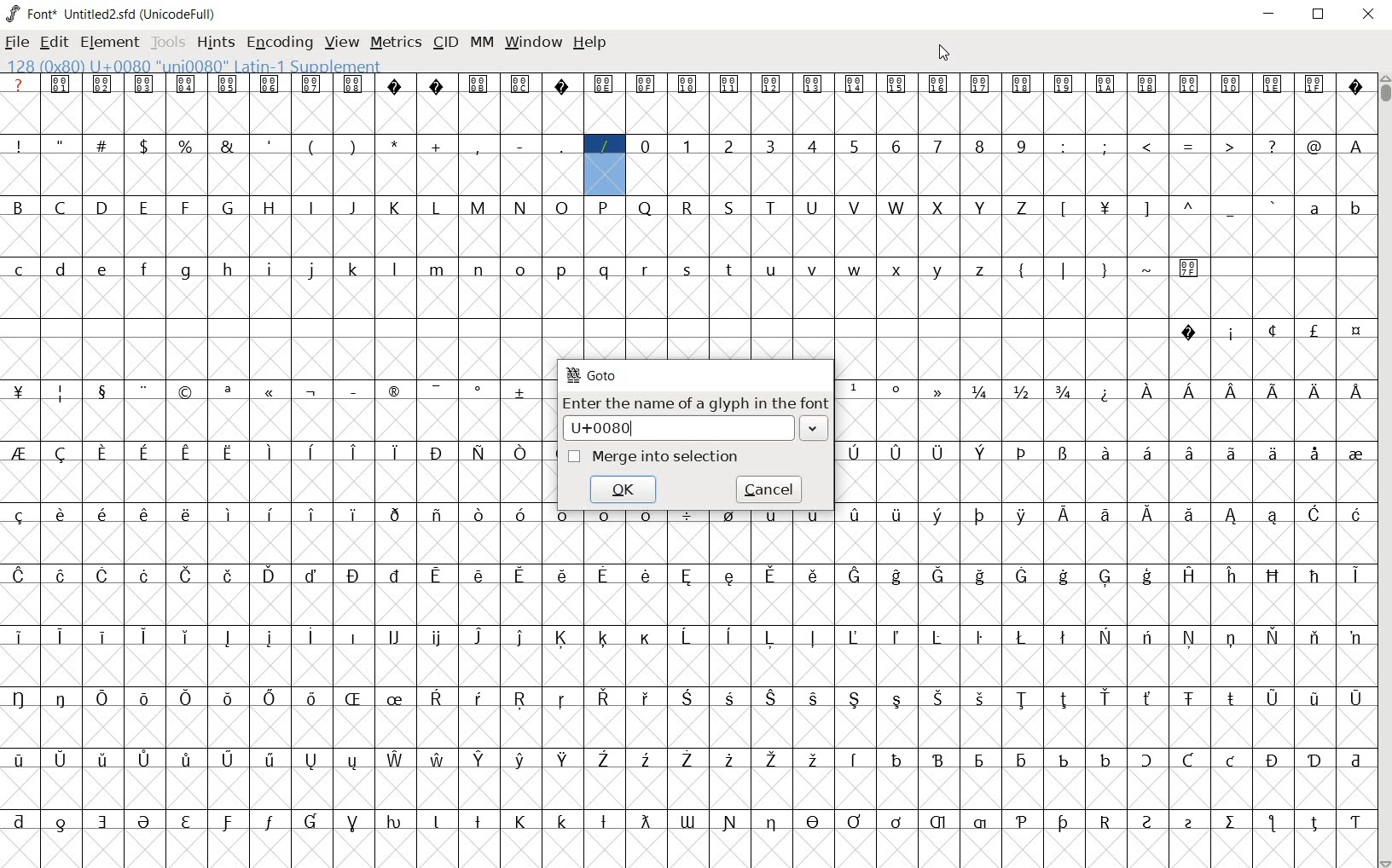 The height and width of the screenshot is (868, 1392). What do you see at coordinates (687, 822) in the screenshot?
I see `glyph` at bounding box center [687, 822].